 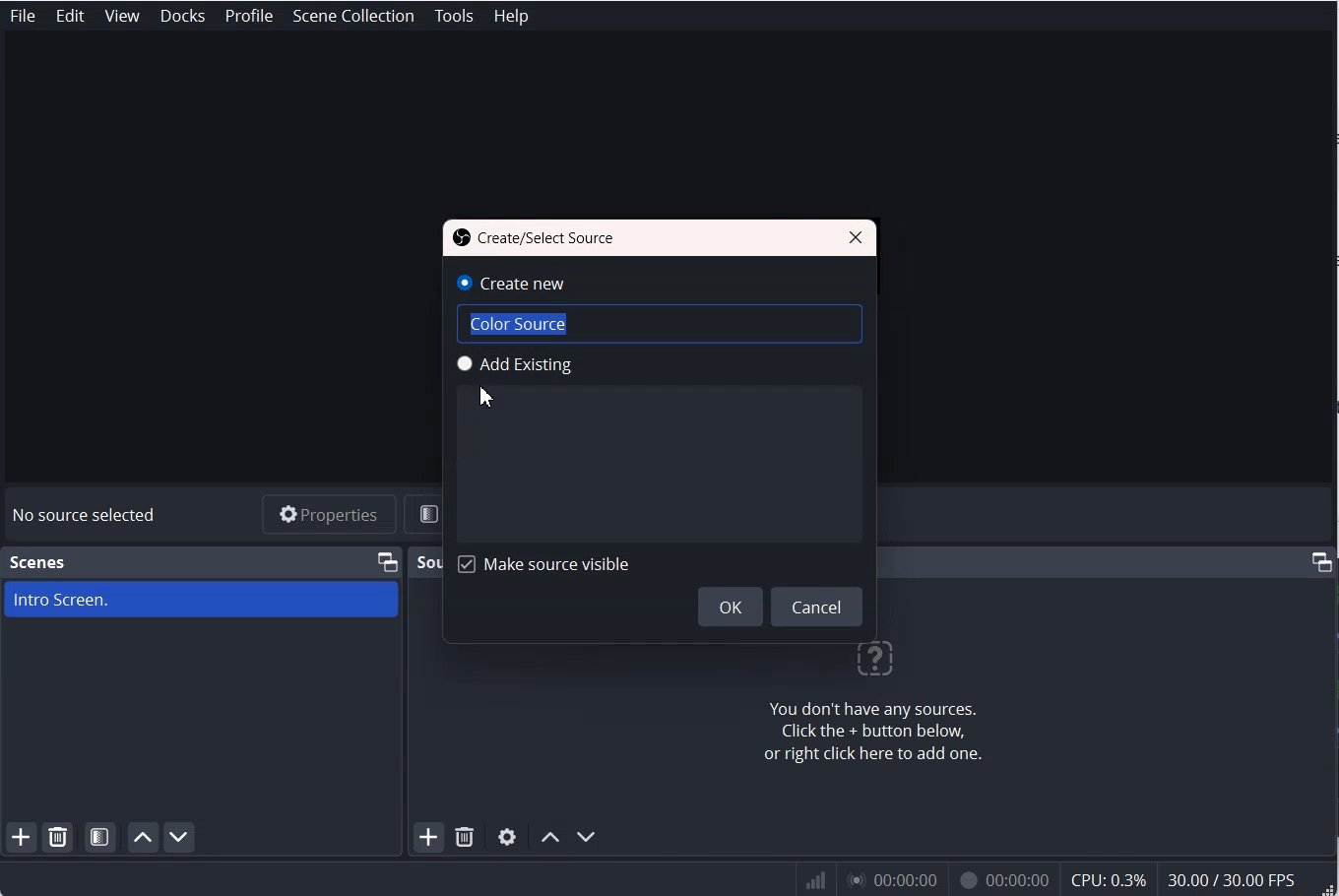 I want to click on WIfi, so click(x=817, y=880).